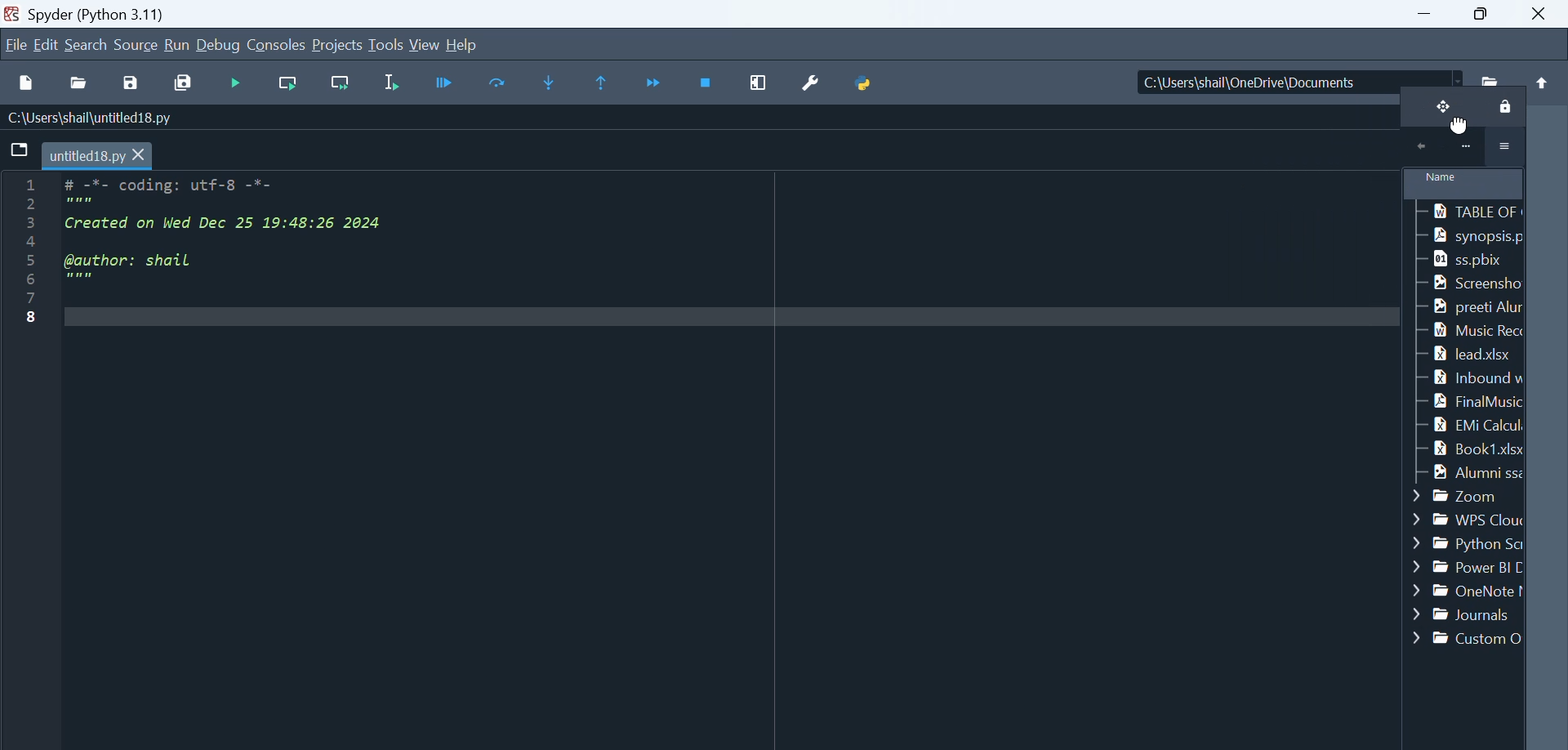 This screenshot has height=750, width=1568. I want to click on Power BI D.., so click(1466, 568).